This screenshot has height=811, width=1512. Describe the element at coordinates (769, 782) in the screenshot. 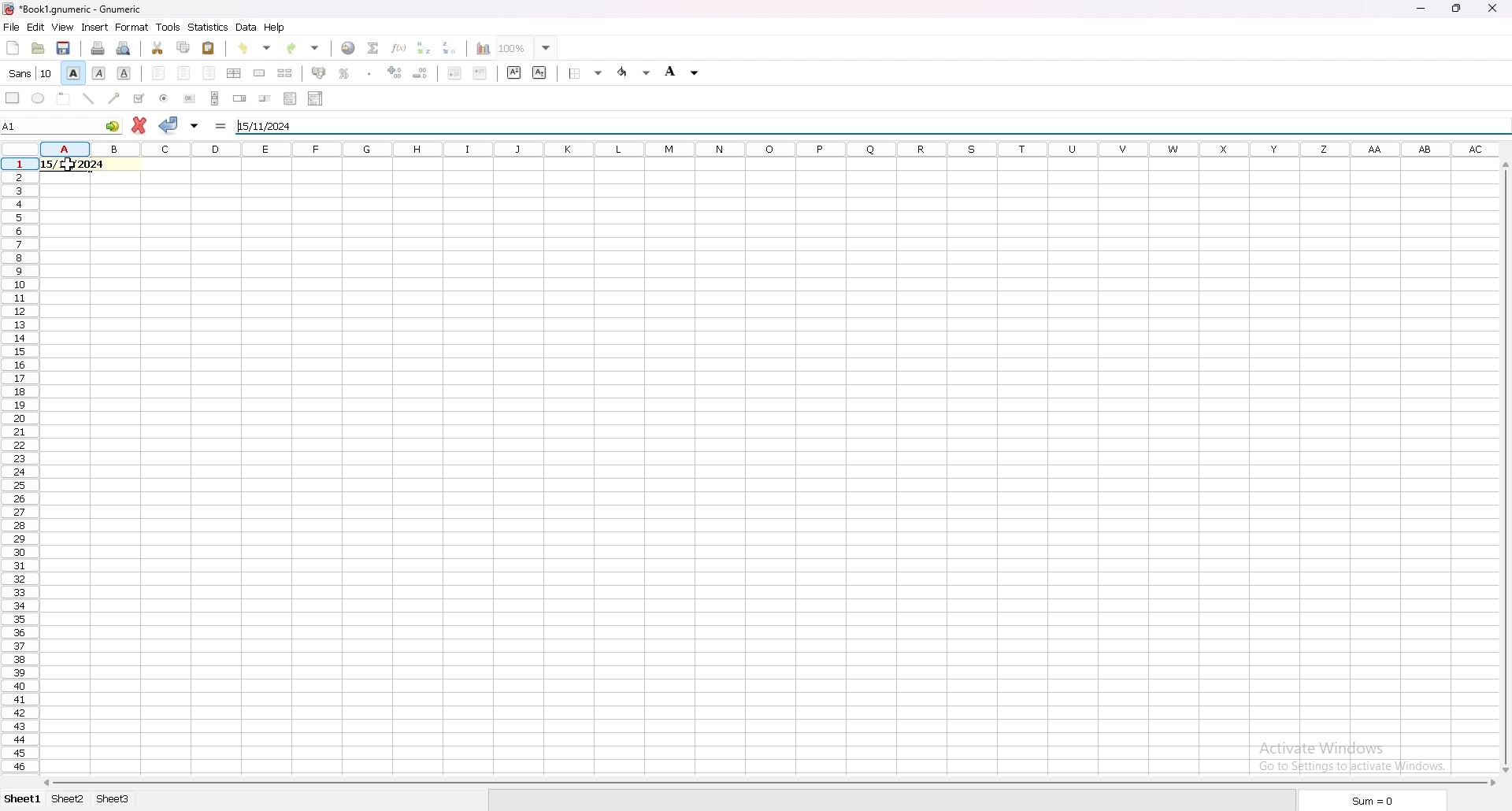

I see `scroll bar` at that location.